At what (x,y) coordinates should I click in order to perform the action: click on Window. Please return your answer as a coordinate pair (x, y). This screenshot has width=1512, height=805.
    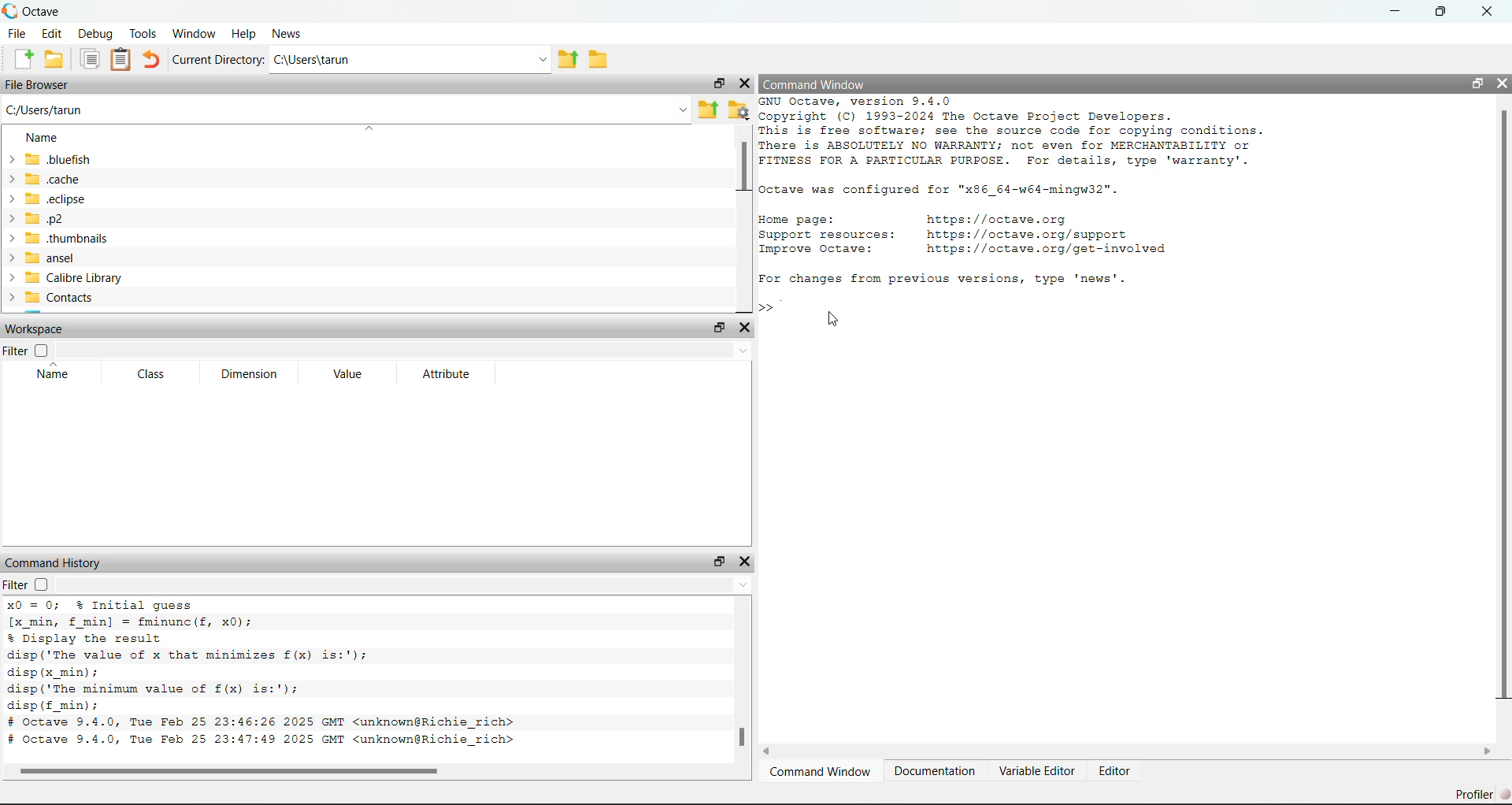
    Looking at the image, I should click on (194, 32).